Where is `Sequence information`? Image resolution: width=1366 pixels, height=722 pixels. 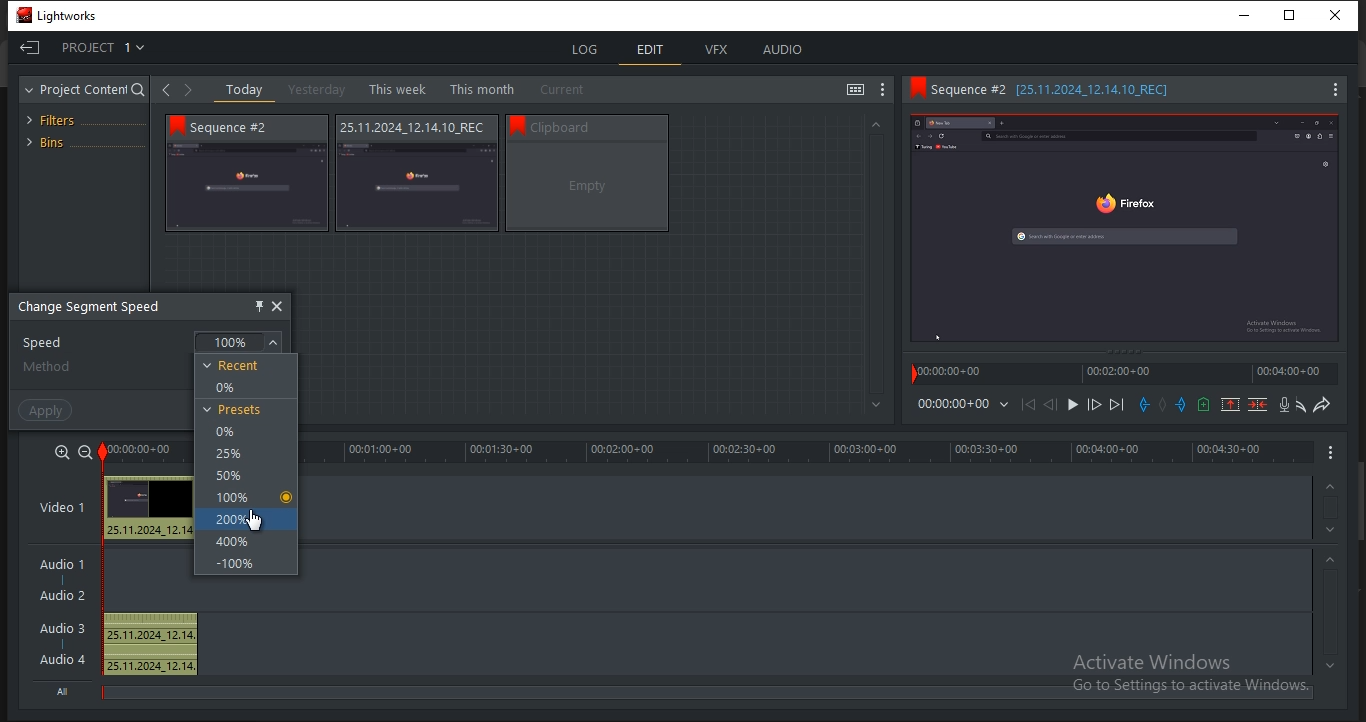 Sequence information is located at coordinates (1075, 90).